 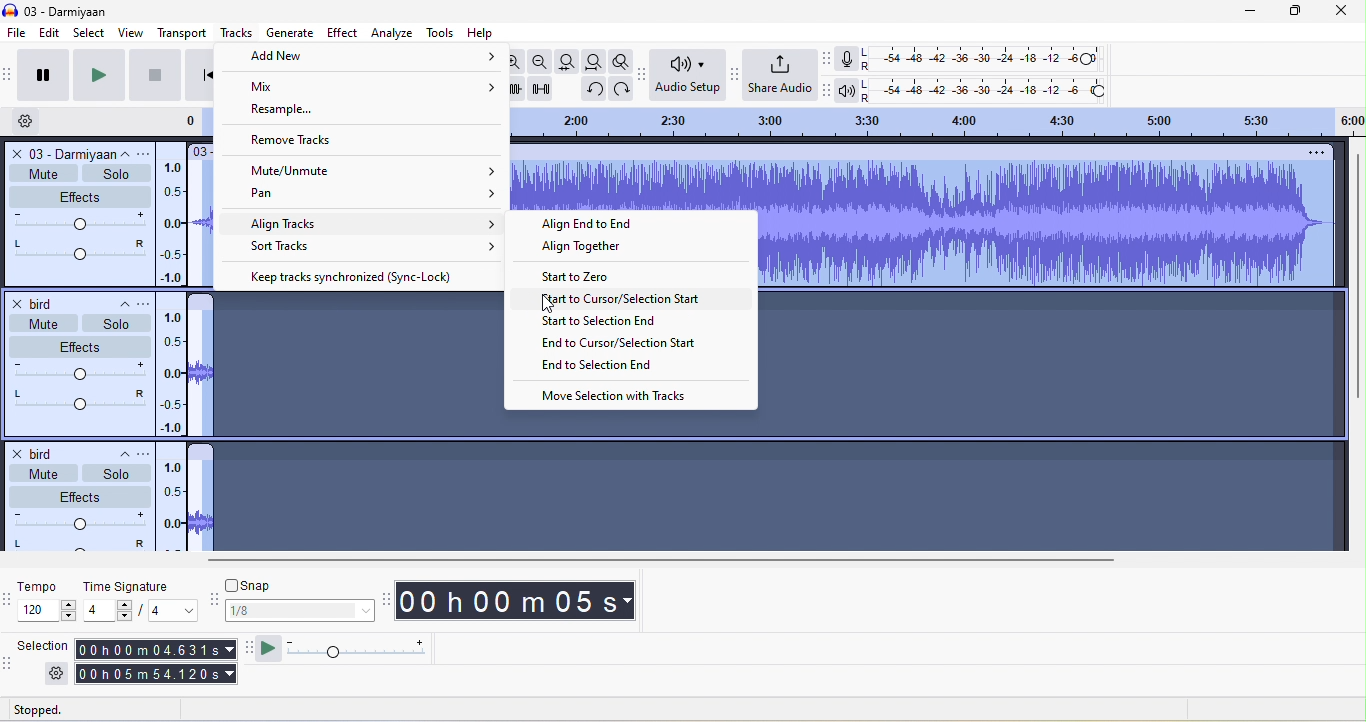 I want to click on pan:center, so click(x=76, y=546).